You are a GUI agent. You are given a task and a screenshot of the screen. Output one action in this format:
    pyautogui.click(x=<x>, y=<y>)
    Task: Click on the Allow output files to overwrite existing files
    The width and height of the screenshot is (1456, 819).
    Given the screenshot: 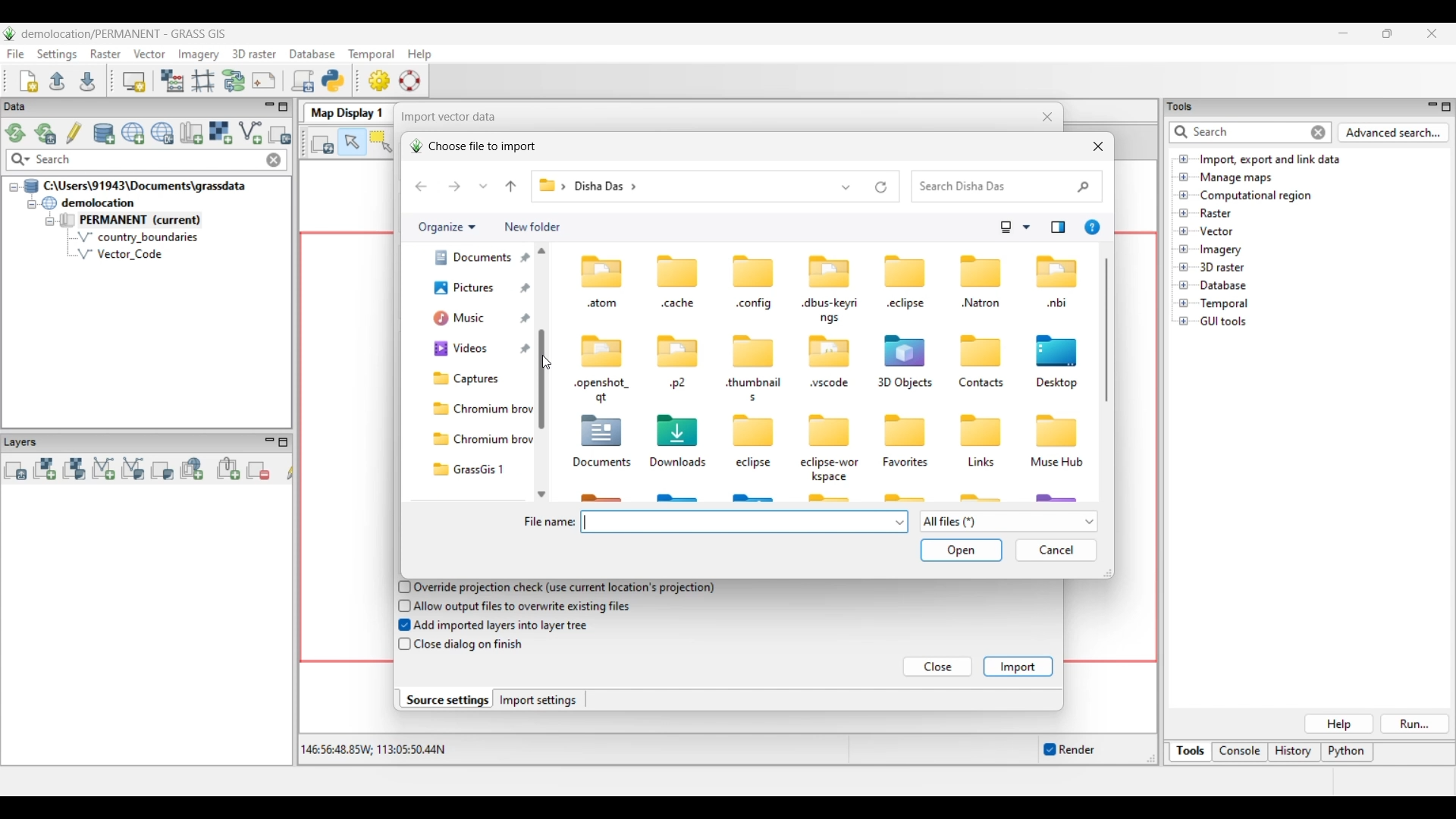 What is the action you would take?
    pyautogui.click(x=525, y=607)
    